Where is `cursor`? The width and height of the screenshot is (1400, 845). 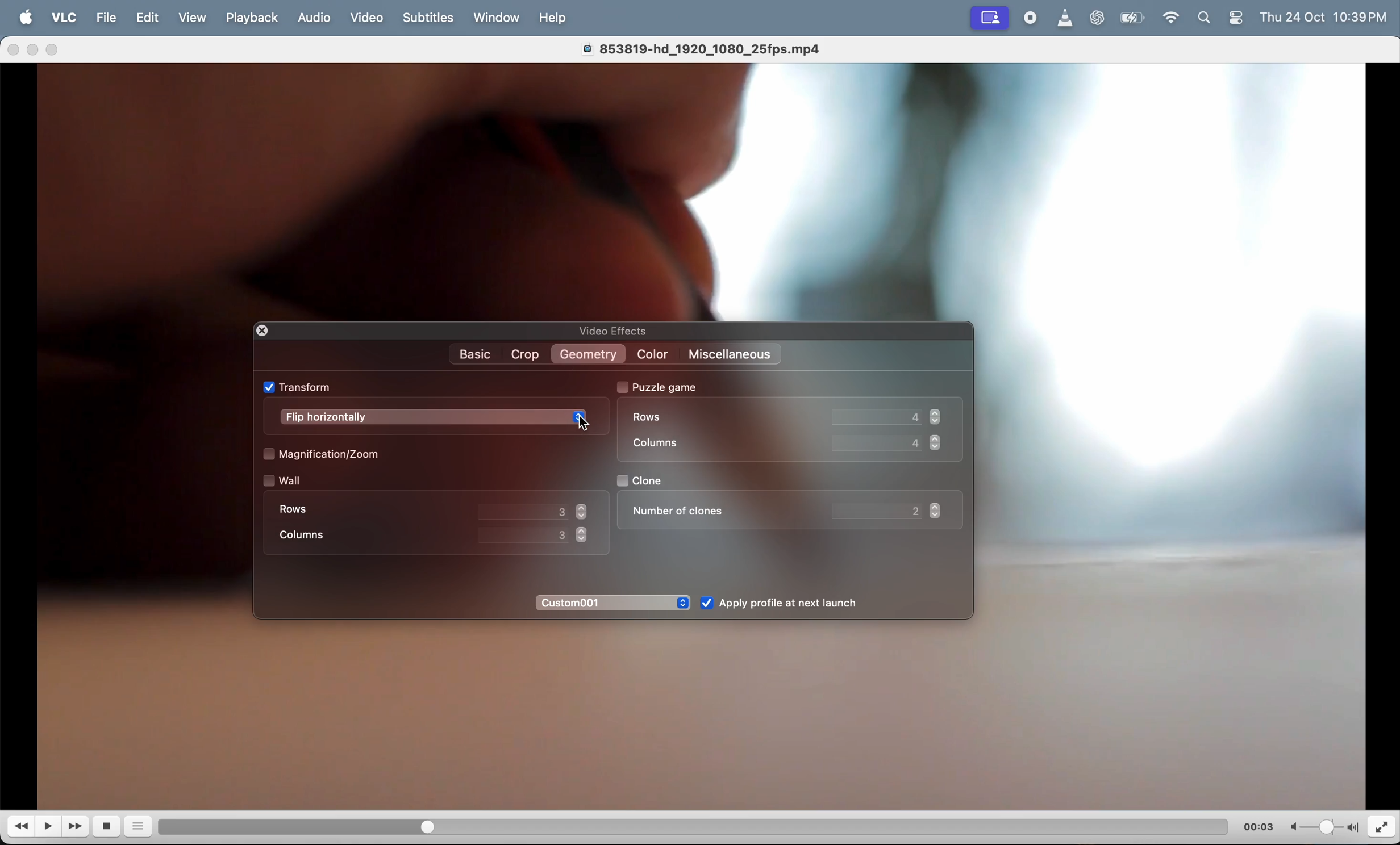
cursor is located at coordinates (584, 421).